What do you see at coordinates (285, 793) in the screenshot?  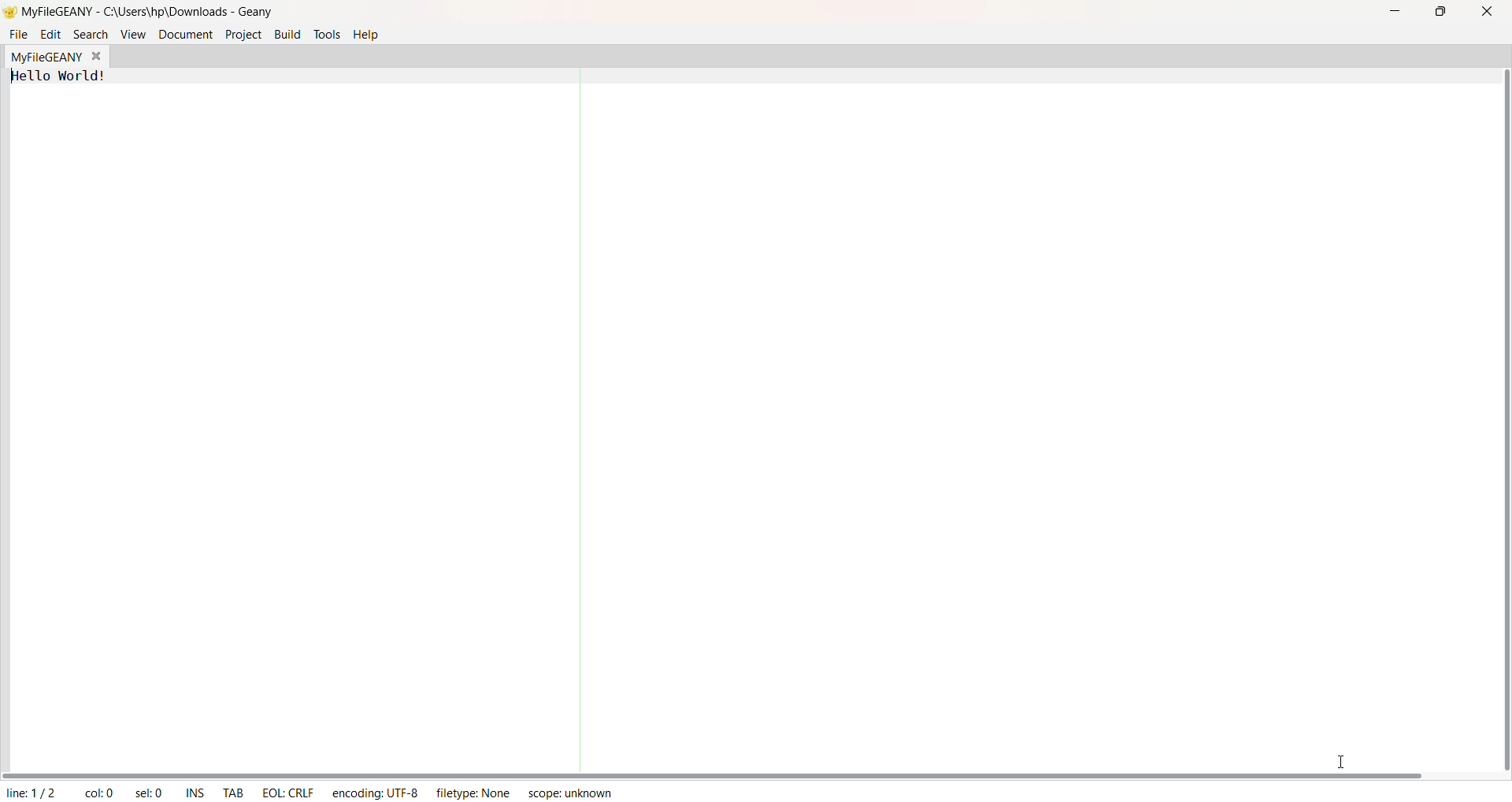 I see `EOL : CRLF` at bounding box center [285, 793].